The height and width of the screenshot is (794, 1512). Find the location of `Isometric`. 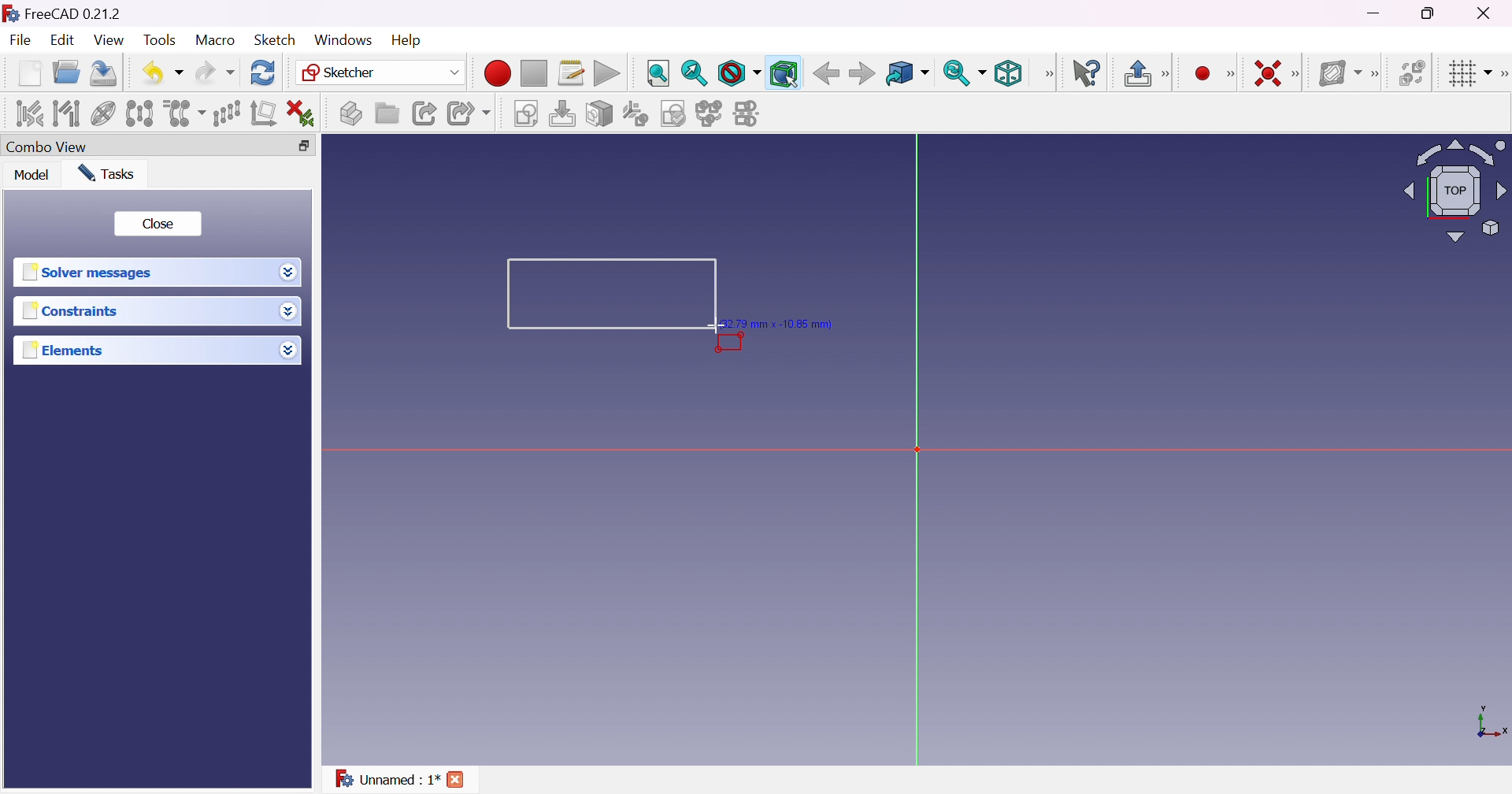

Isometric is located at coordinates (1009, 72).